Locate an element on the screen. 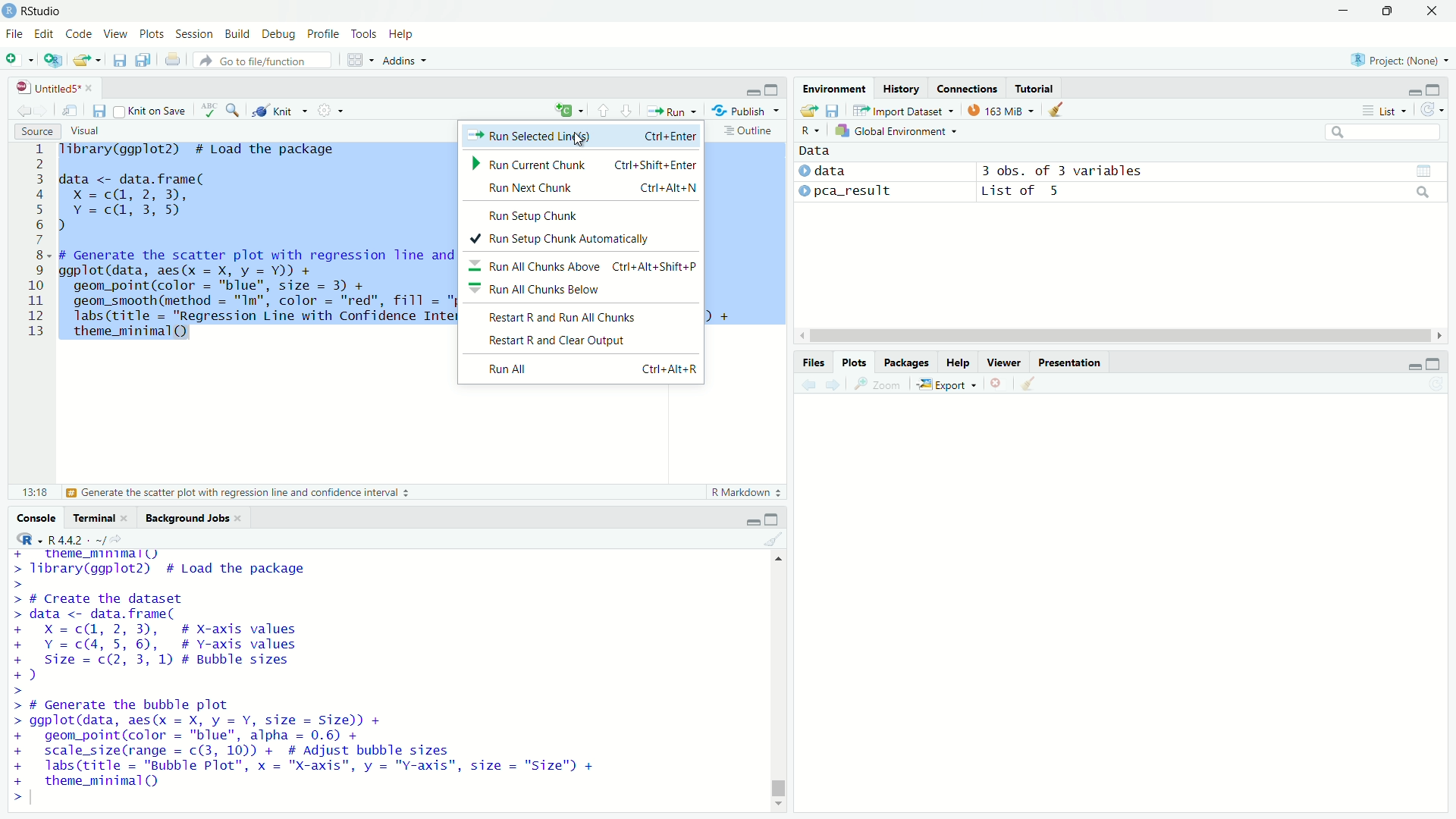 The width and height of the screenshot is (1456, 819). Outline is located at coordinates (750, 130).